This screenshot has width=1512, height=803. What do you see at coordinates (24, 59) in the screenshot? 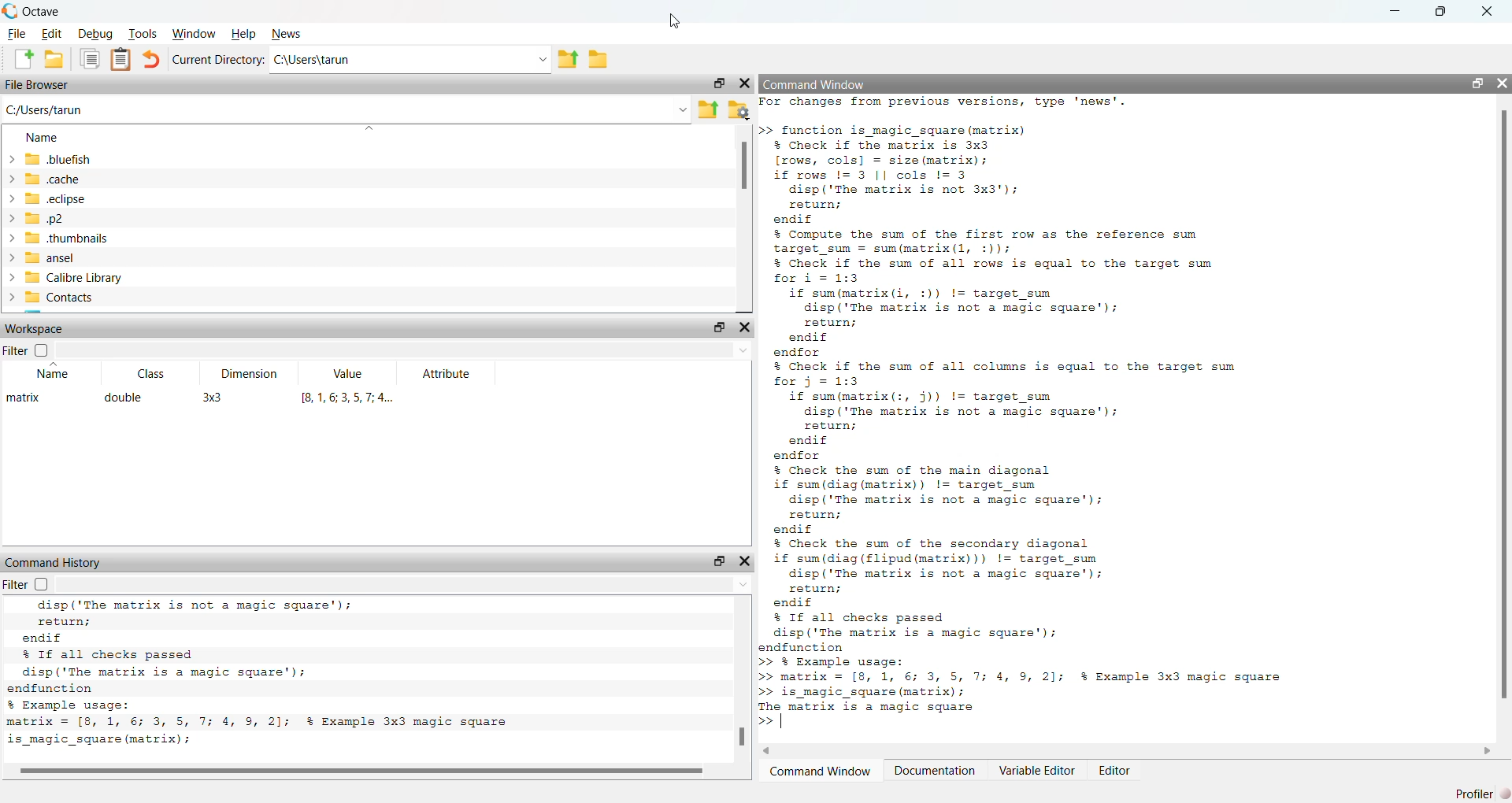
I see `New file` at bounding box center [24, 59].